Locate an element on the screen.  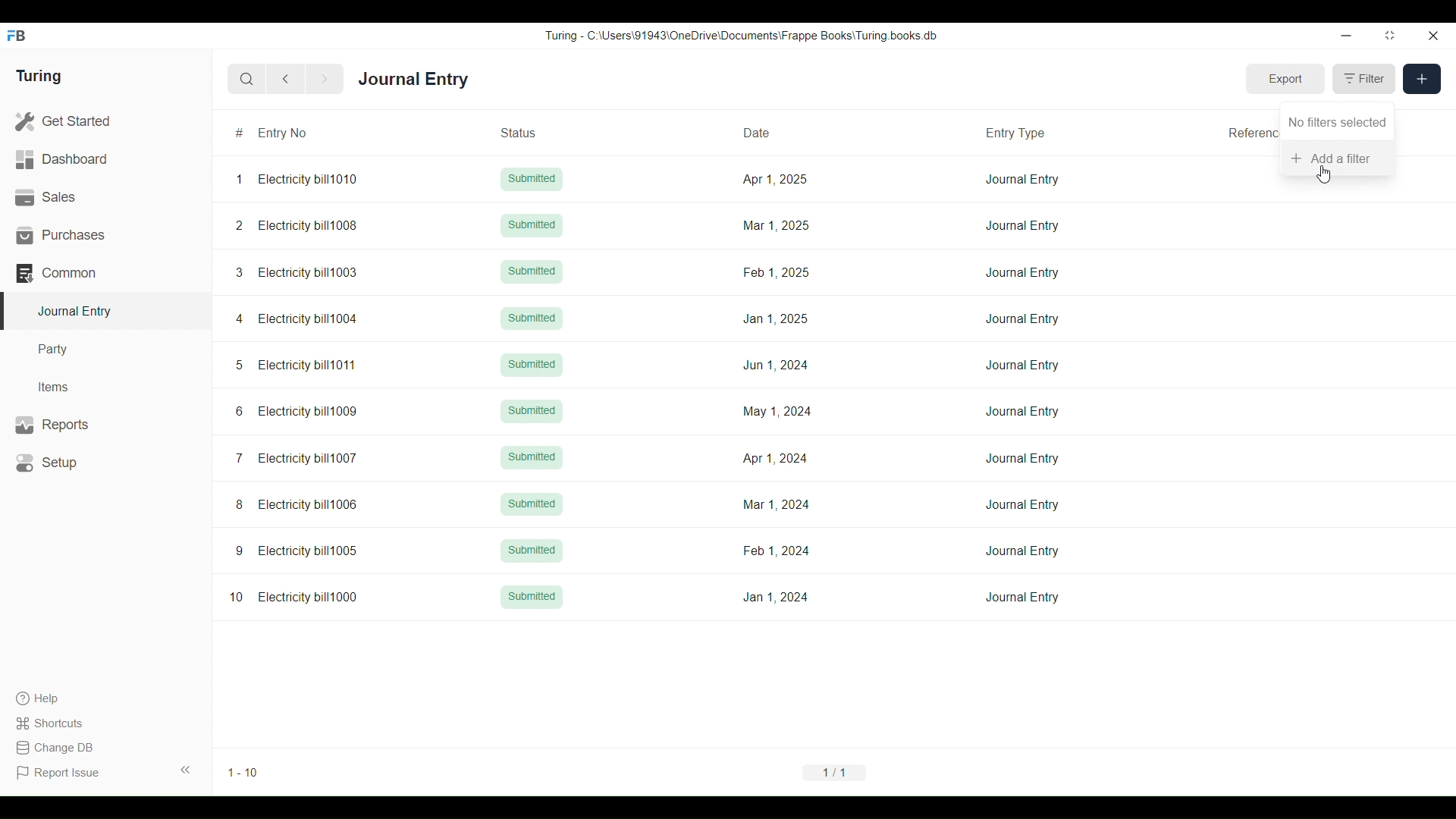
Submitted is located at coordinates (532, 596).